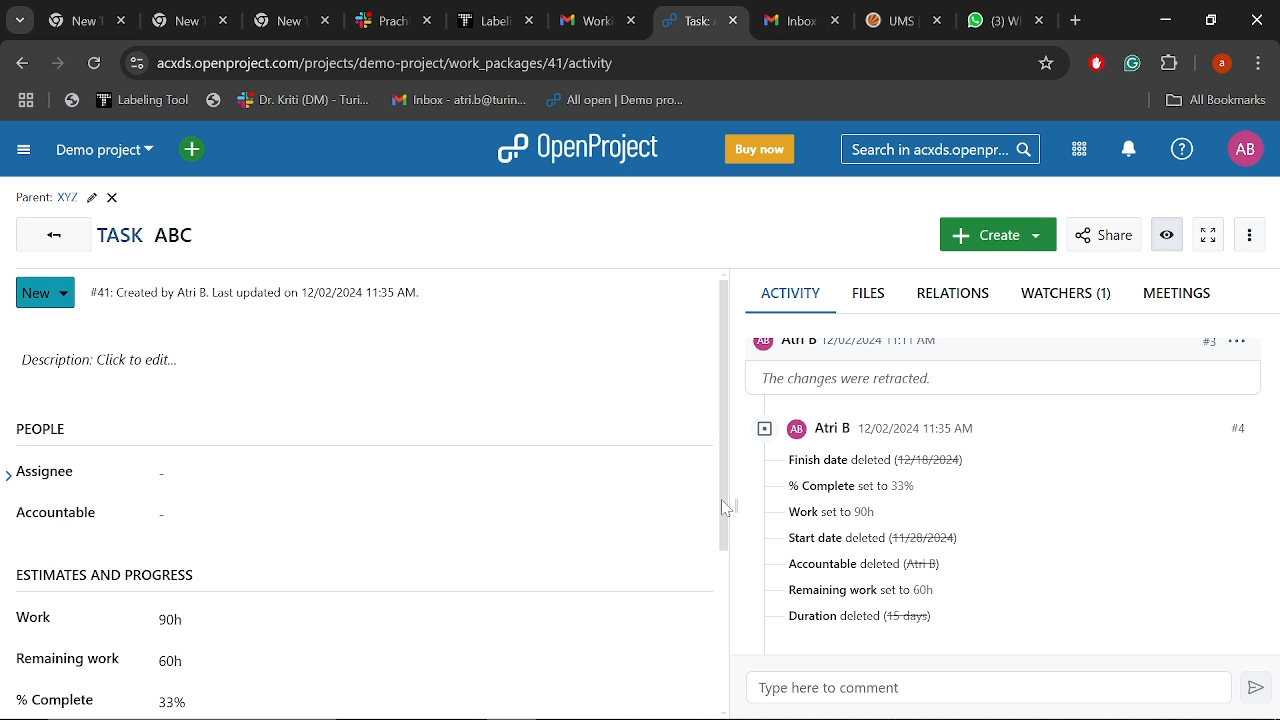 The image size is (1280, 720). Describe the element at coordinates (1080, 151) in the screenshot. I see `Modules` at that location.